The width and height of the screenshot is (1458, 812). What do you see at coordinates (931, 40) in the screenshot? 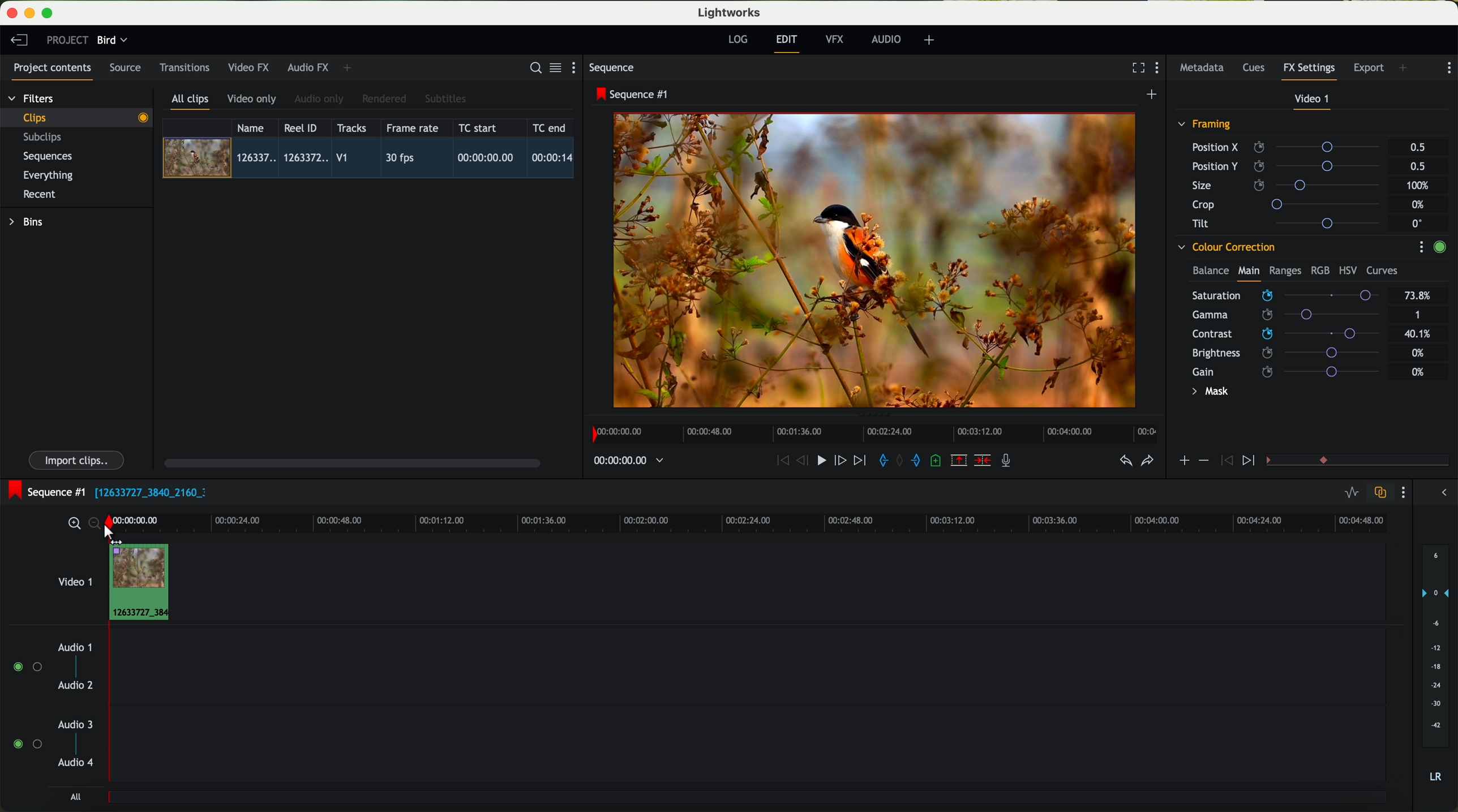
I see `add, remove and create layouts` at bounding box center [931, 40].